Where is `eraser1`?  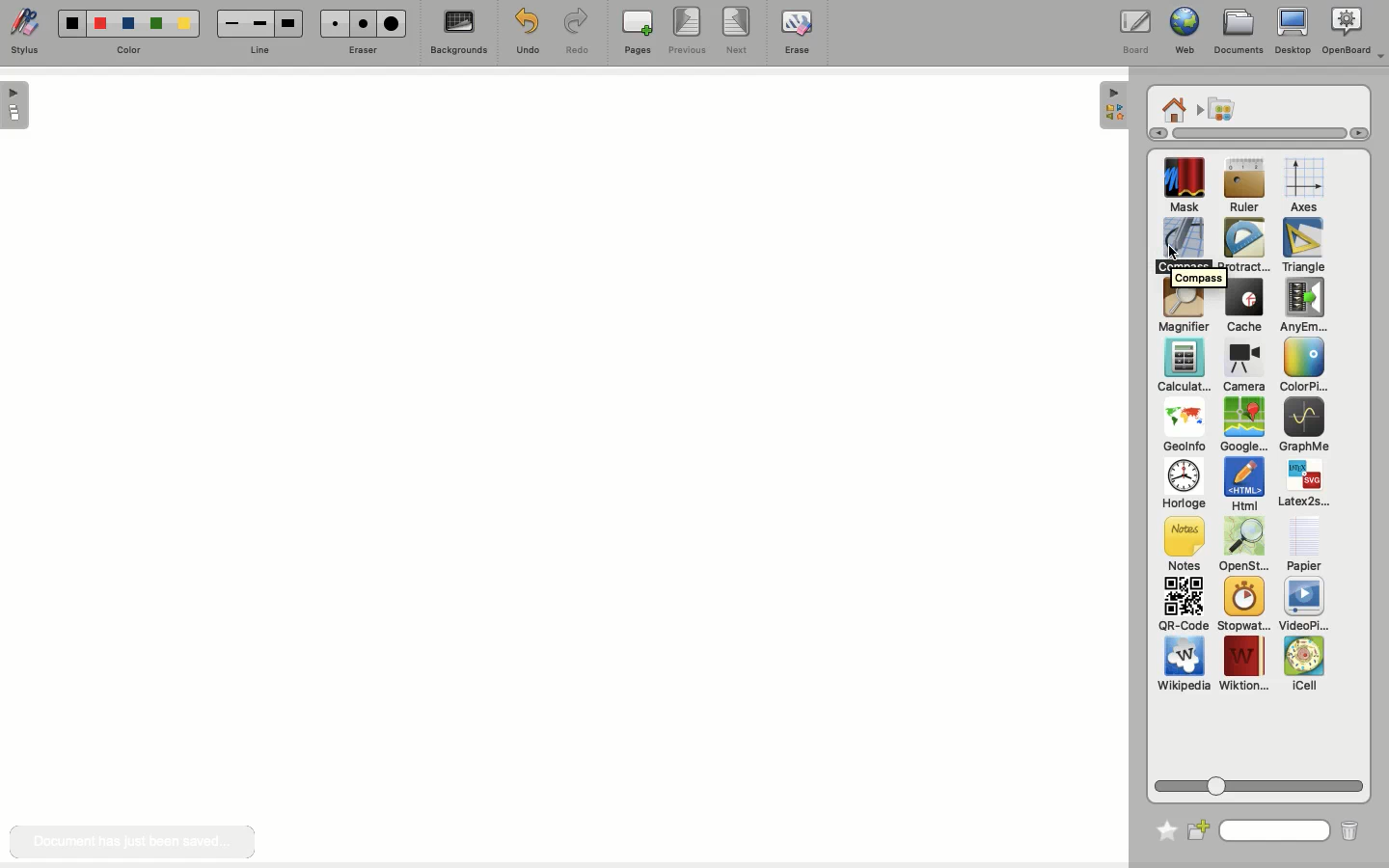
eraser1 is located at coordinates (334, 23).